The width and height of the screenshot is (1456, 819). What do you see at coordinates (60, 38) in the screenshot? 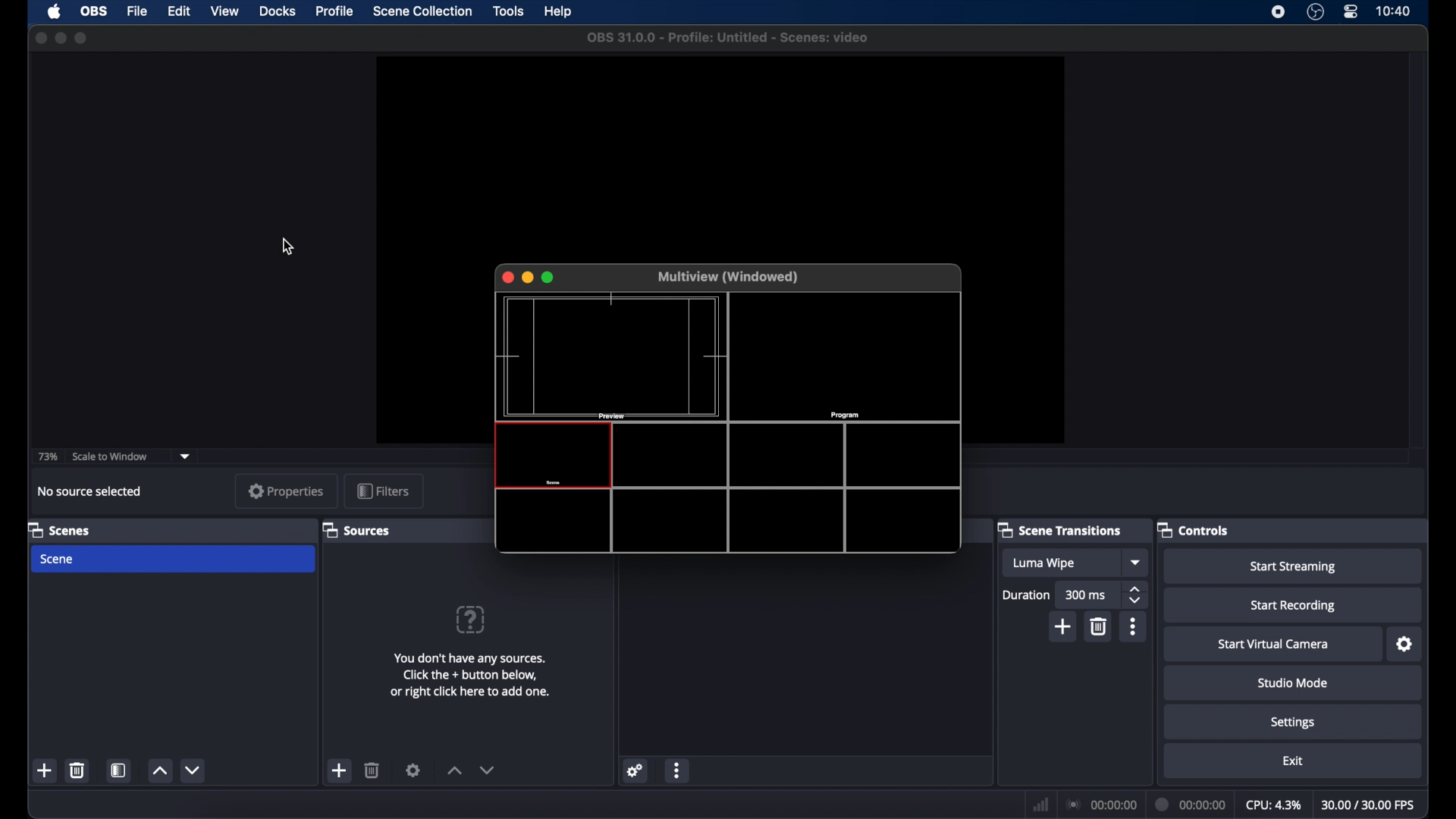
I see `minimize` at bounding box center [60, 38].